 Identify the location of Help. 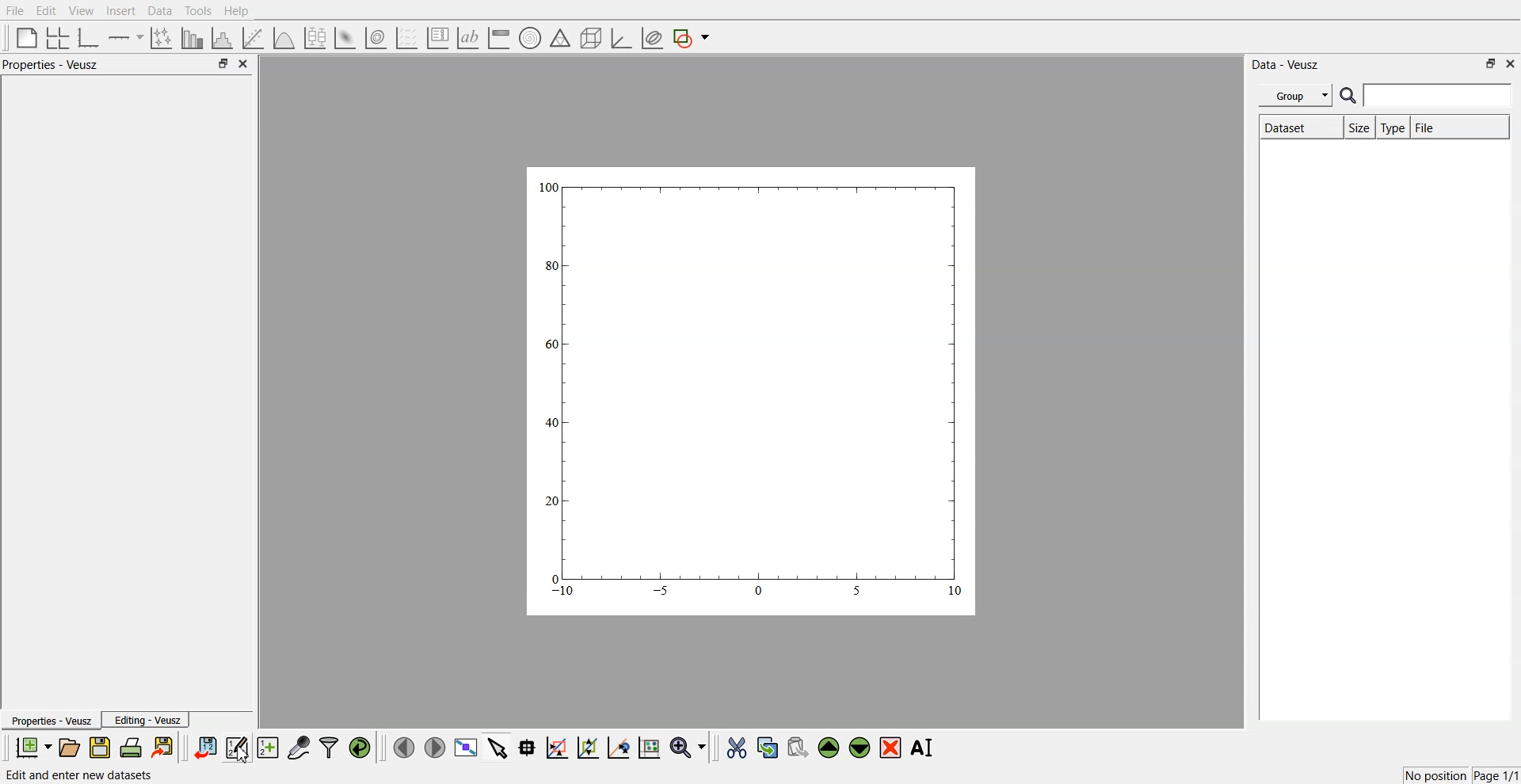
(242, 13).